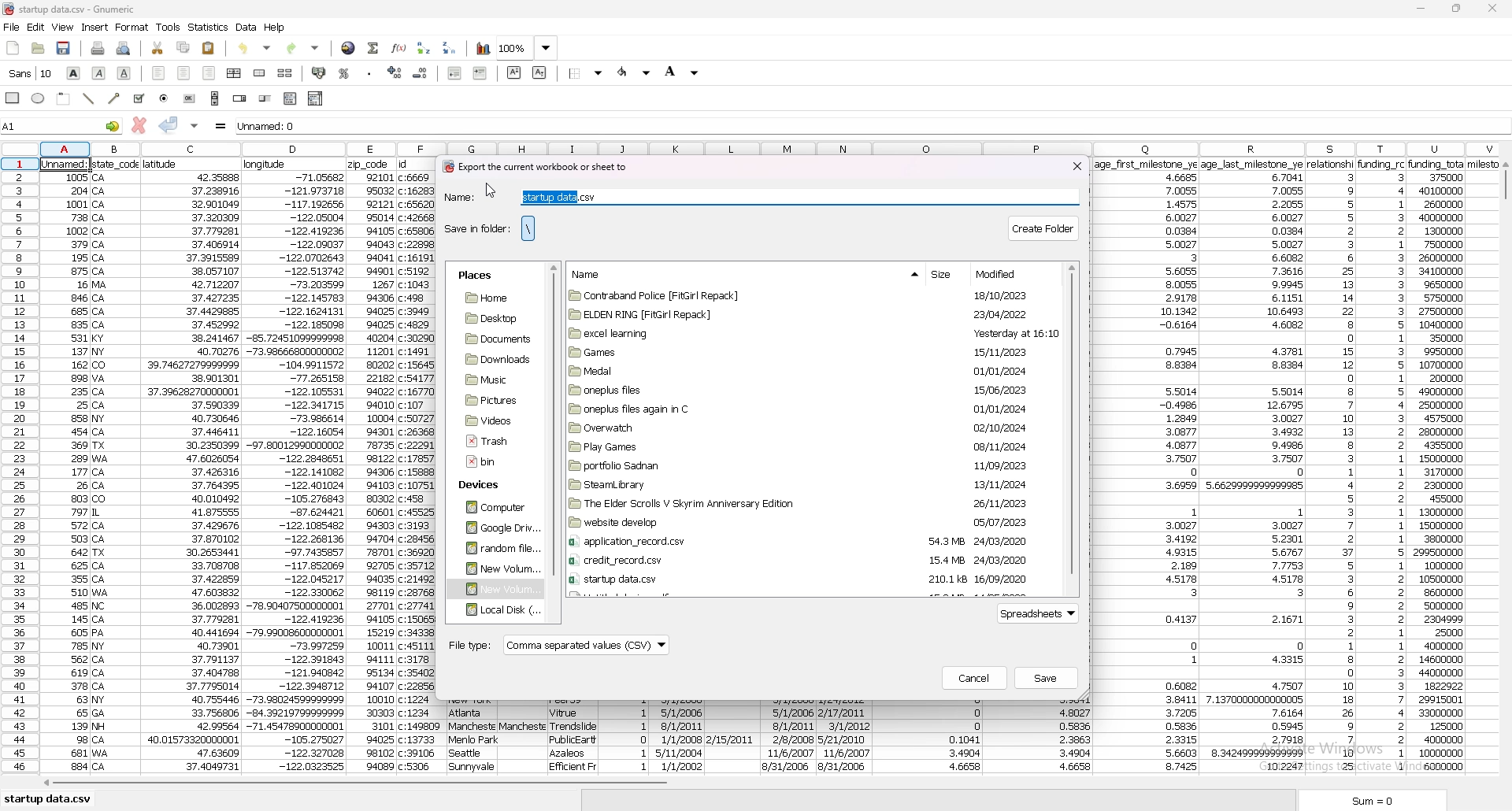  I want to click on folder, so click(810, 297).